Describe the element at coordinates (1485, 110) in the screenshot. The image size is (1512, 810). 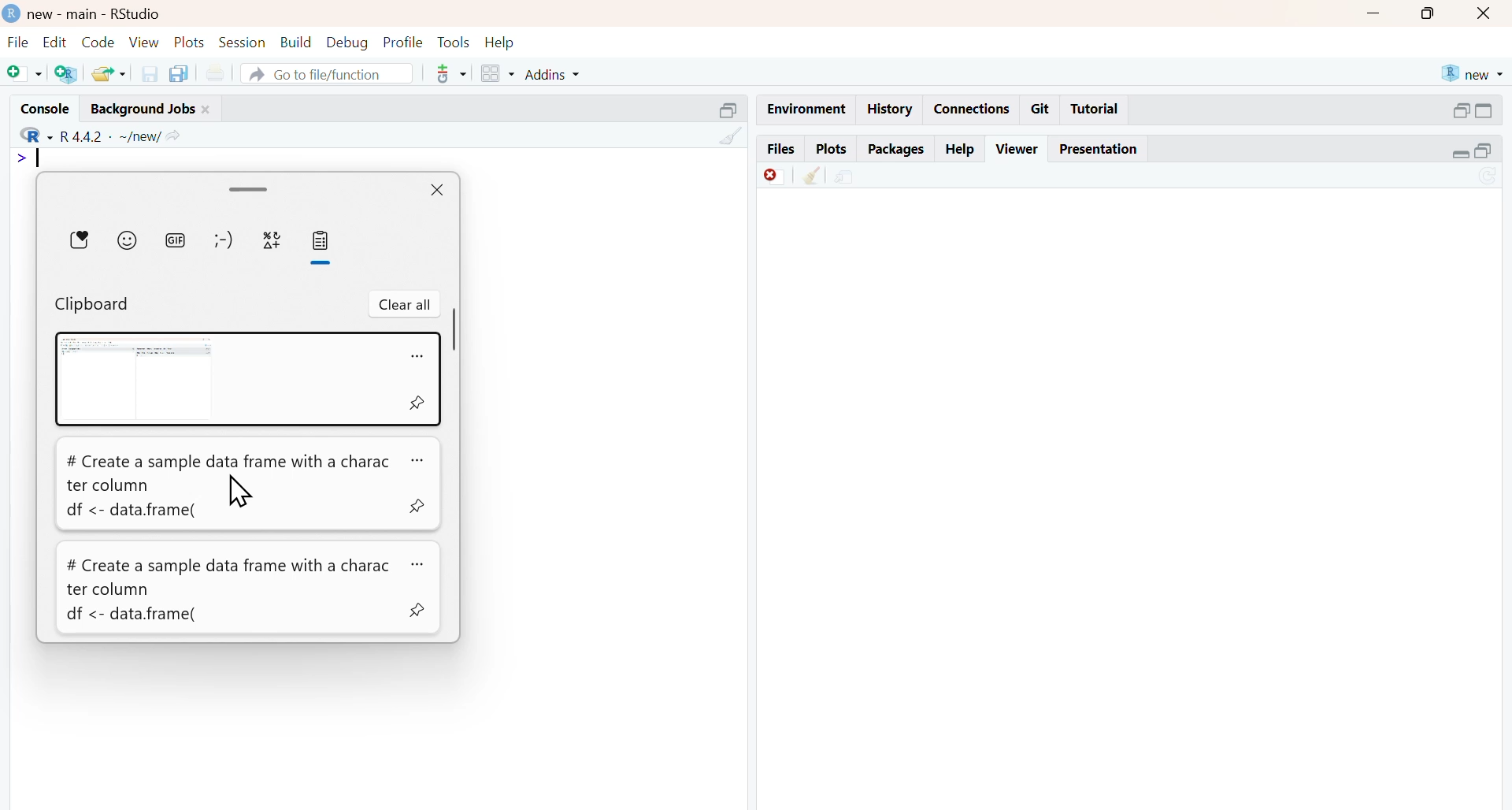
I see `expand/collapse` at that location.